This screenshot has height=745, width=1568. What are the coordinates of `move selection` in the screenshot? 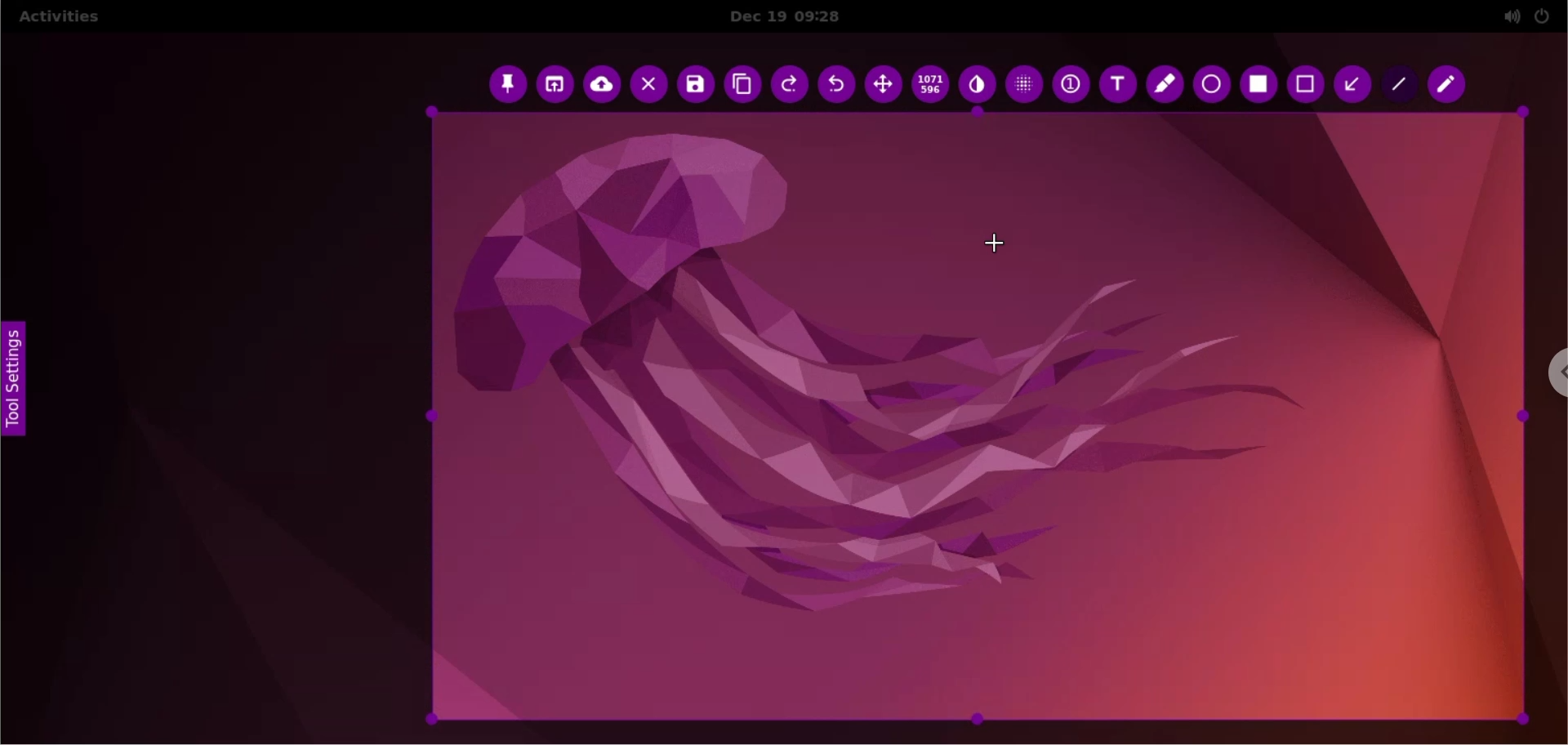 It's located at (888, 87).